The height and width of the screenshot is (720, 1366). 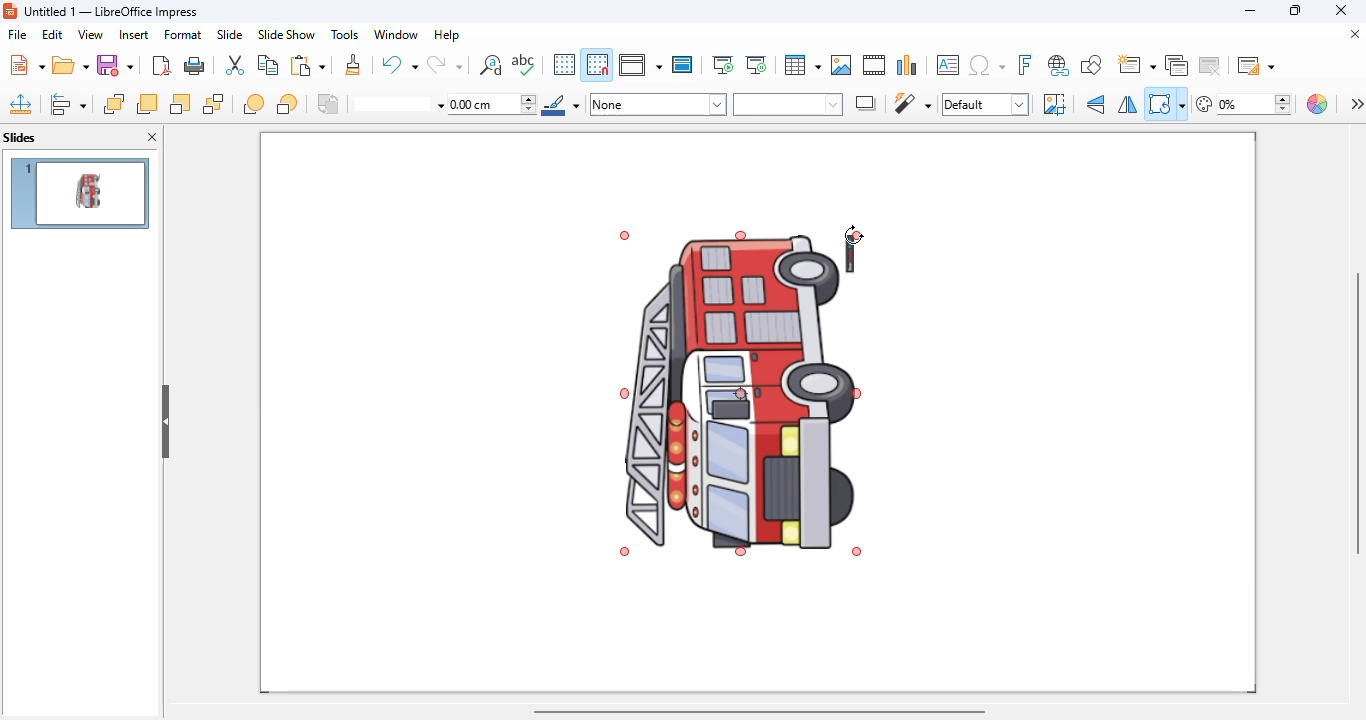 What do you see at coordinates (756, 65) in the screenshot?
I see `start from current slide` at bounding box center [756, 65].